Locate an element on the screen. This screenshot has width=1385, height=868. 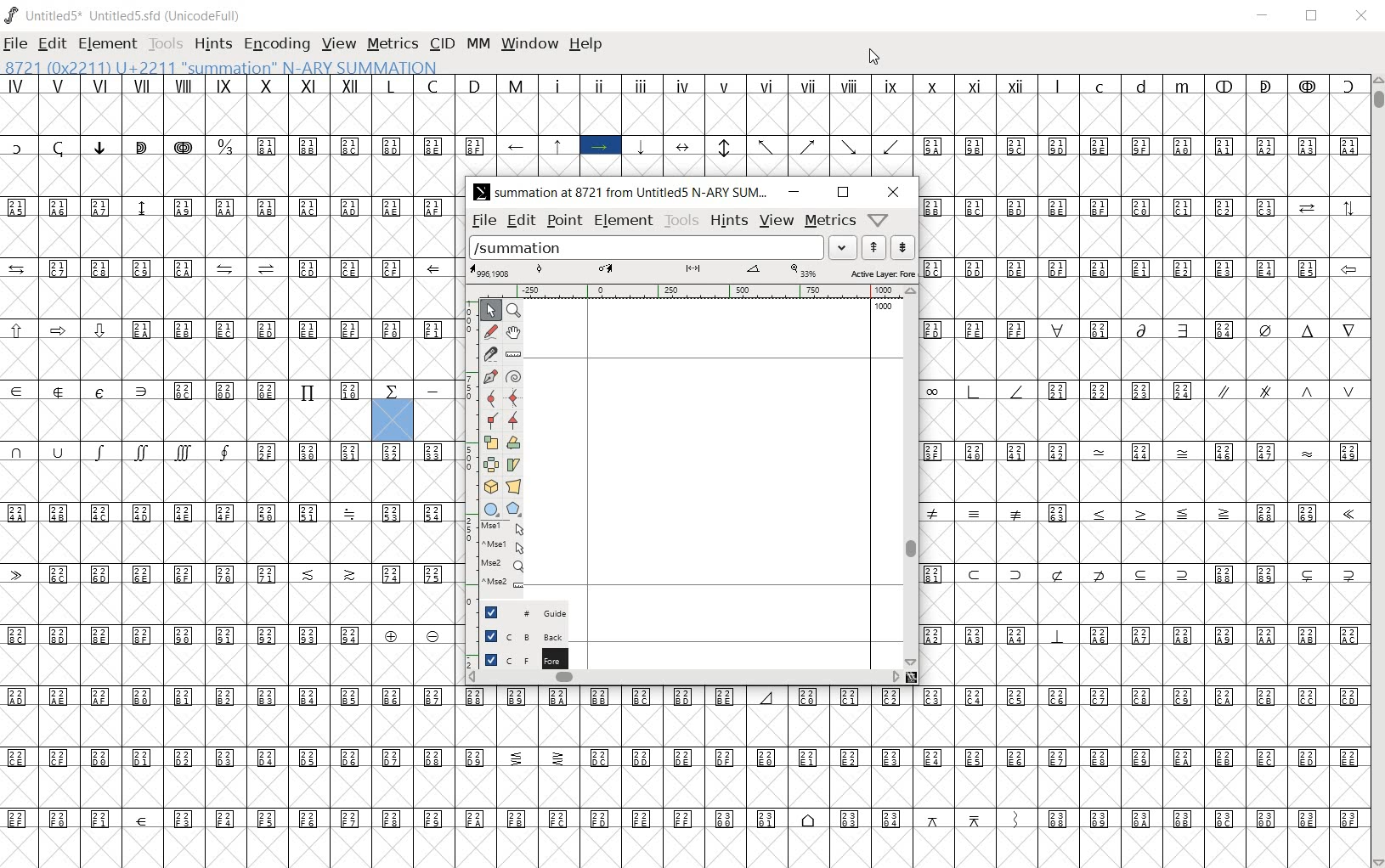
show the next word on the list is located at coordinates (875, 247).